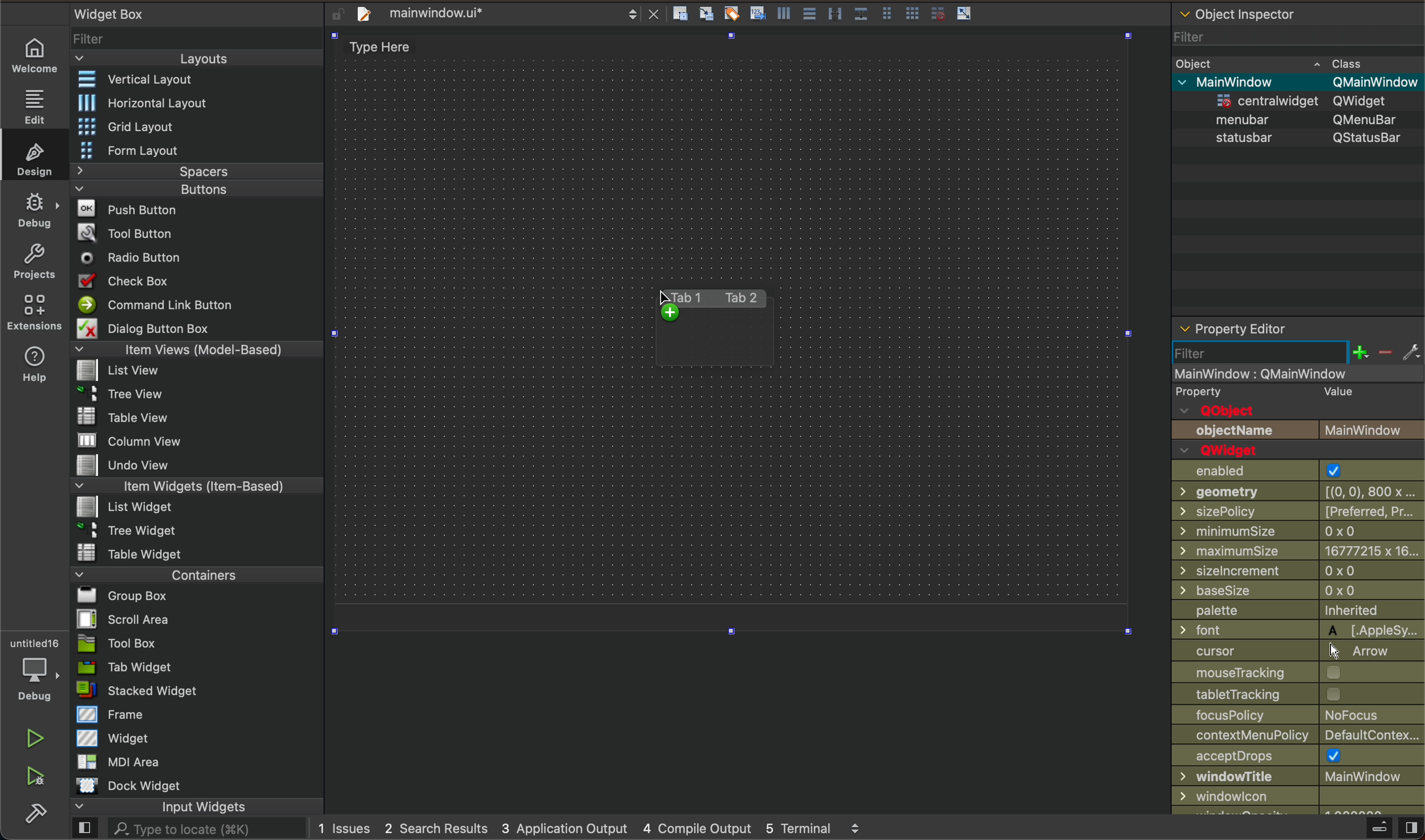 This screenshot has width=1425, height=840. I want to click on focus, so click(1300, 716).